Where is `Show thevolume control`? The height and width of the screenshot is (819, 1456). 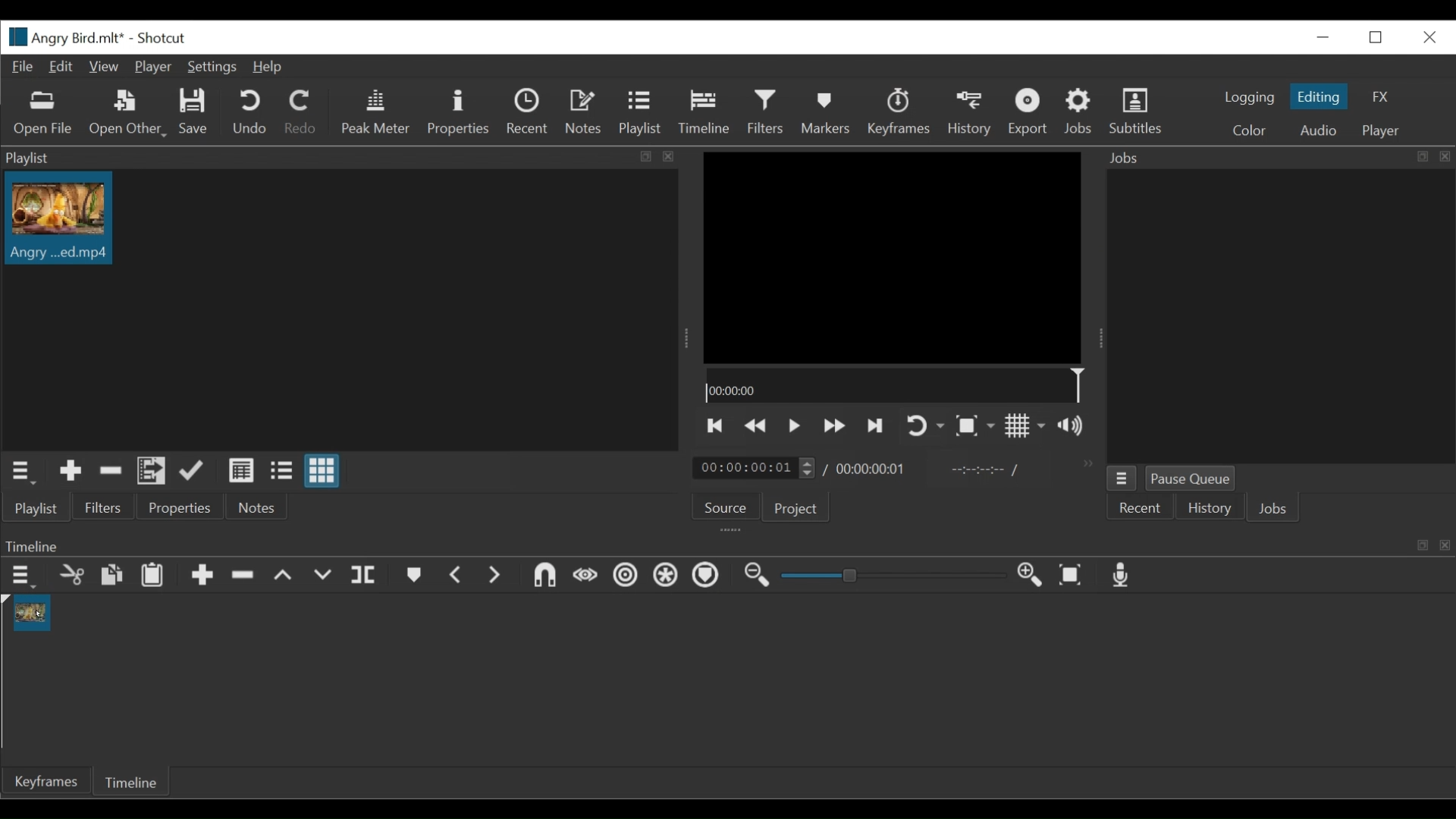 Show thevolume control is located at coordinates (1075, 426).